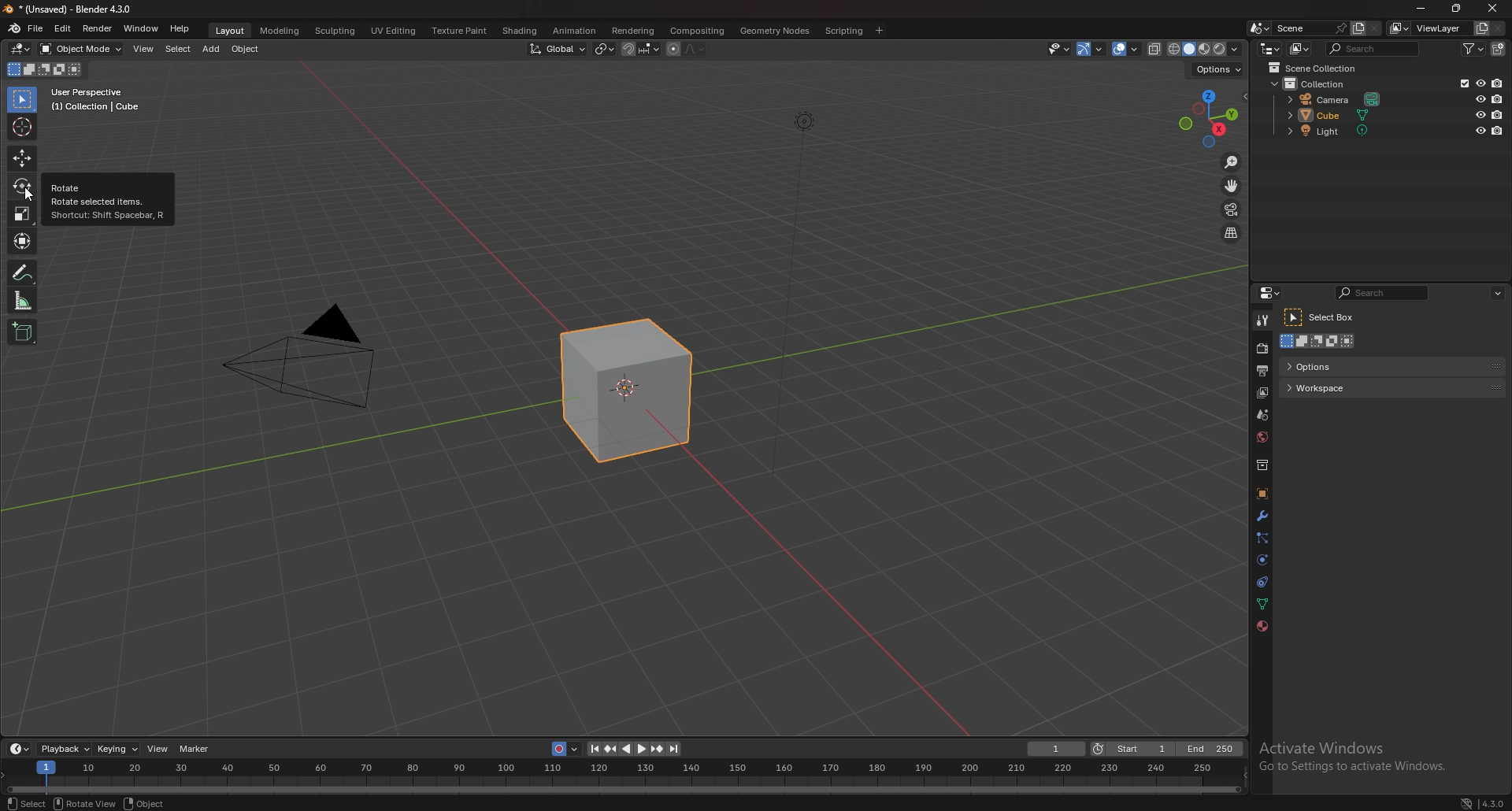 The height and width of the screenshot is (811, 1512). What do you see at coordinates (179, 49) in the screenshot?
I see `select` at bounding box center [179, 49].